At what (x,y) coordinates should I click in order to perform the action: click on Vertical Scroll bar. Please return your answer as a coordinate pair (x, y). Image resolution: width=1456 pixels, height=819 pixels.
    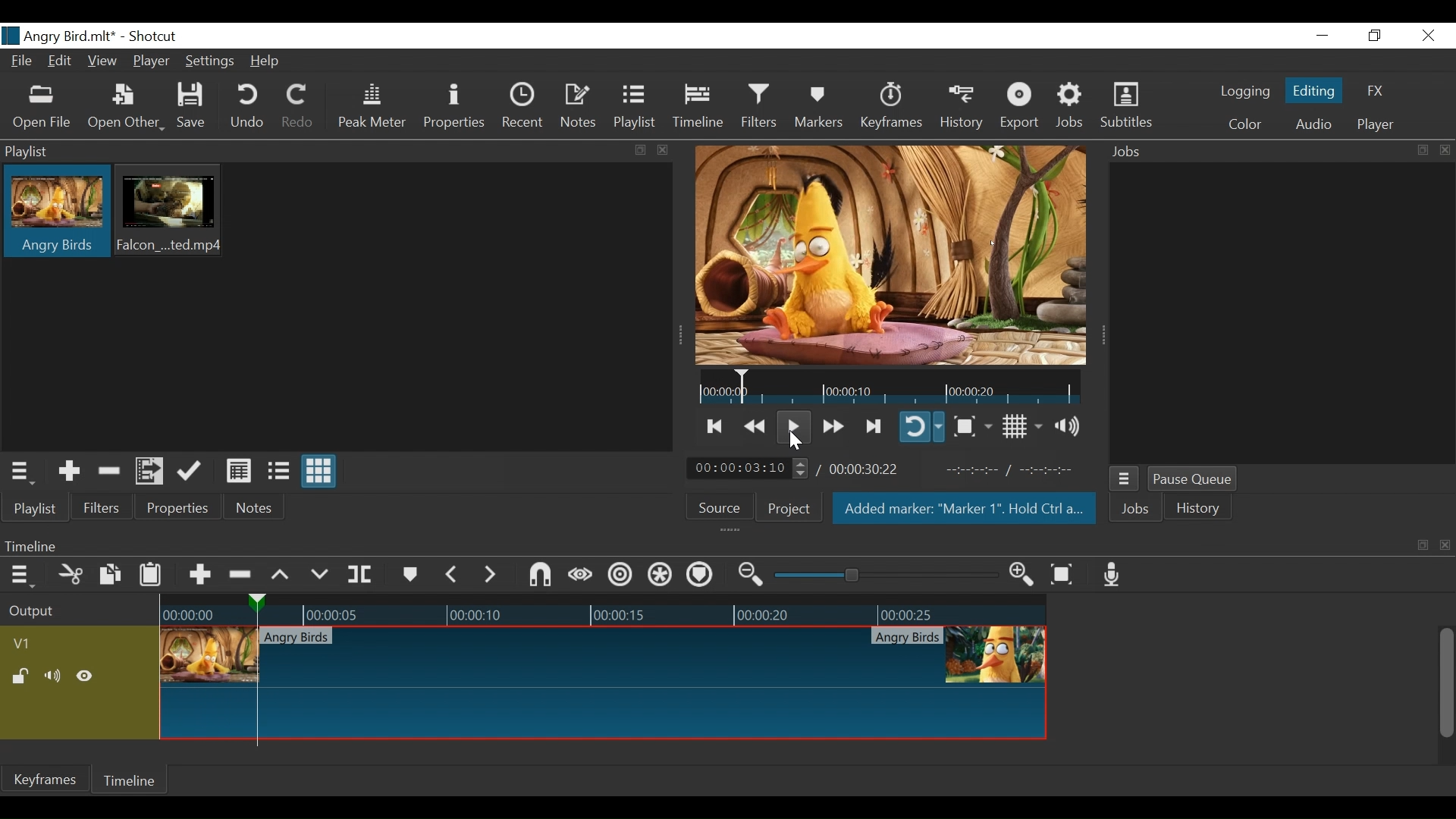
    Looking at the image, I should click on (1448, 682).